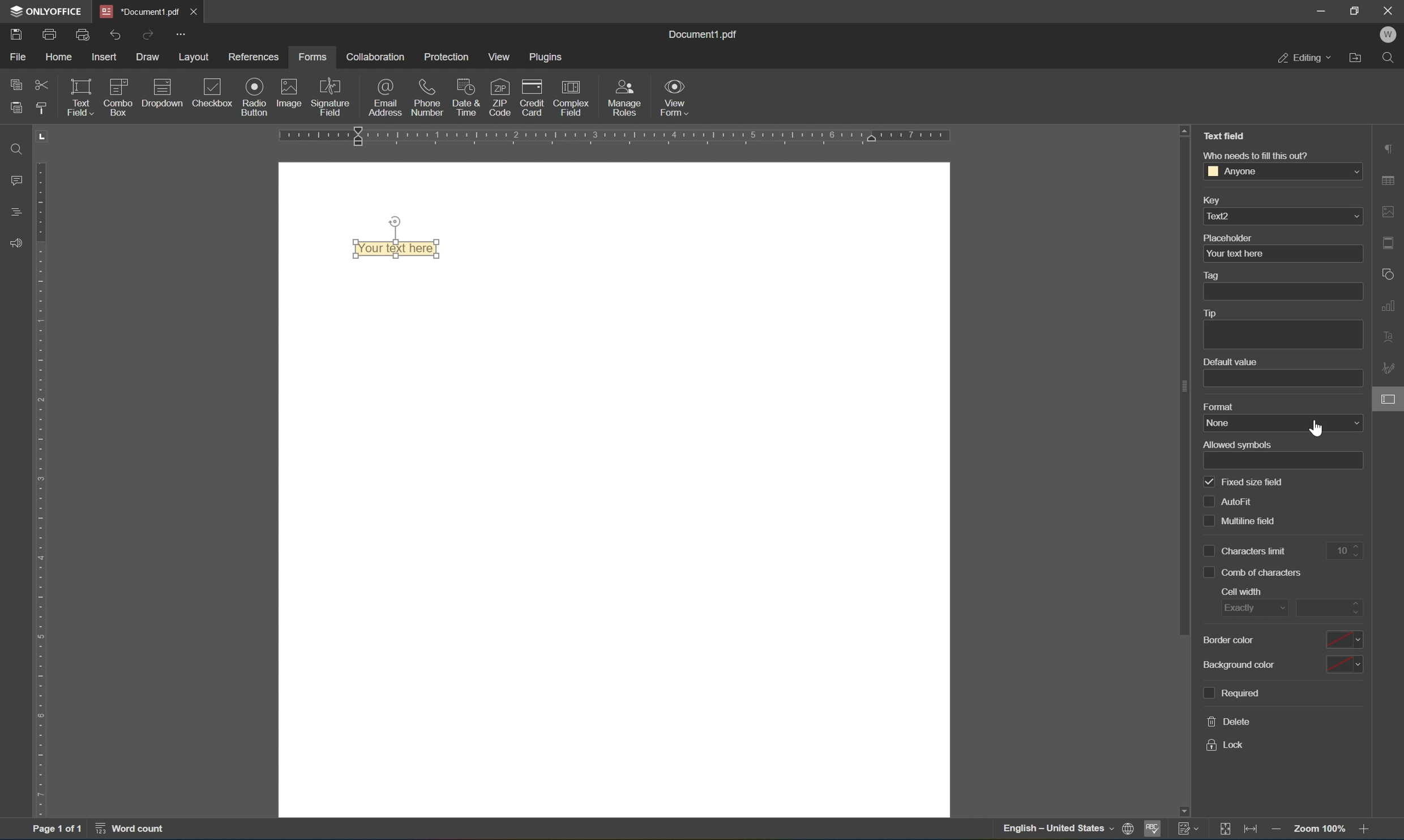 The image size is (1404, 840). Describe the element at coordinates (148, 35) in the screenshot. I see `redo` at that location.